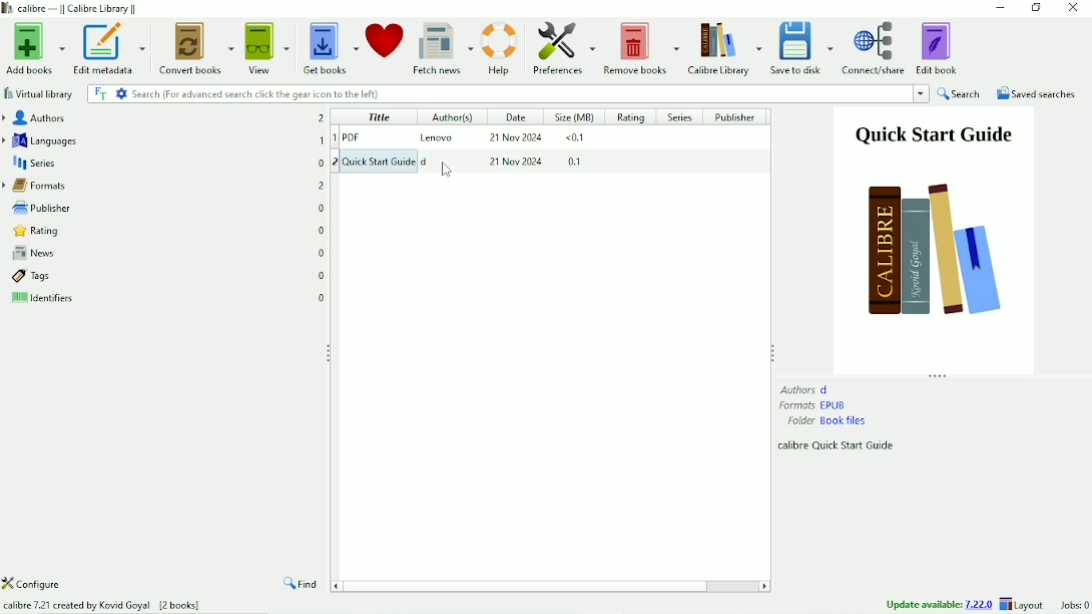 The width and height of the screenshot is (1092, 614). Describe the element at coordinates (399, 160) in the screenshot. I see `quick start guide` at that location.